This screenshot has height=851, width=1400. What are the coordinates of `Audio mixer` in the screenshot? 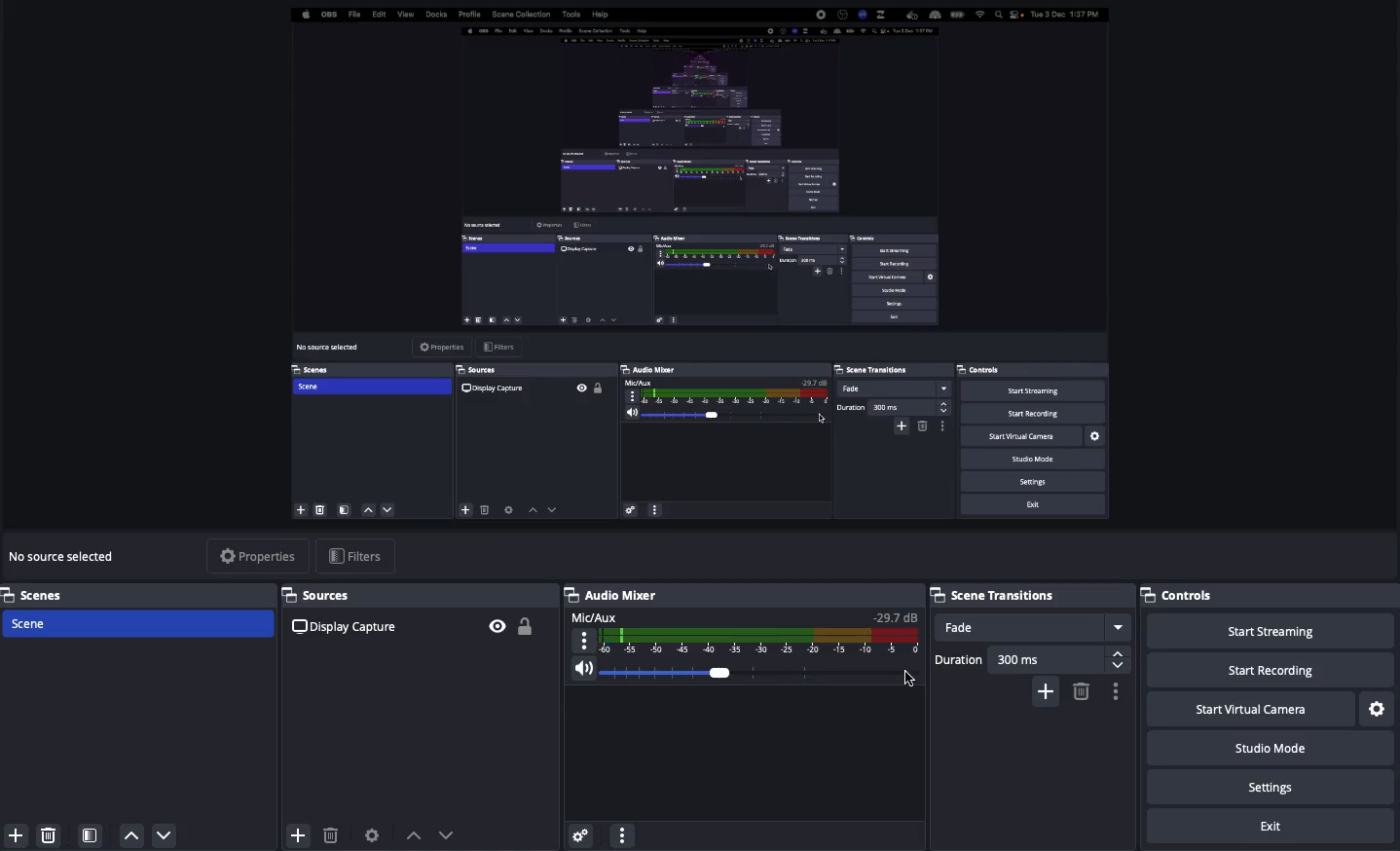 It's located at (617, 595).